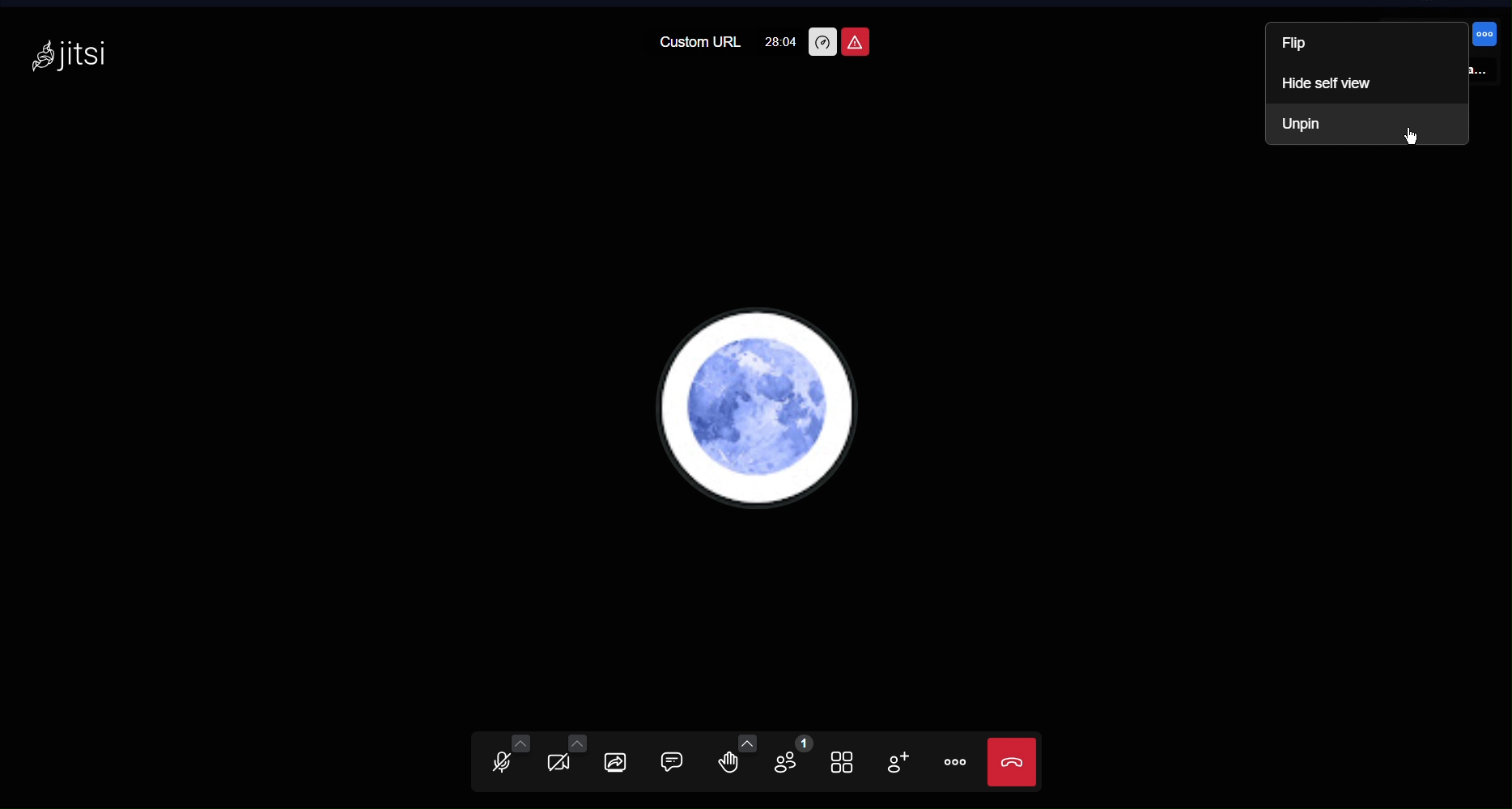 The height and width of the screenshot is (809, 1512). Describe the element at coordinates (955, 764) in the screenshot. I see `More Options` at that location.